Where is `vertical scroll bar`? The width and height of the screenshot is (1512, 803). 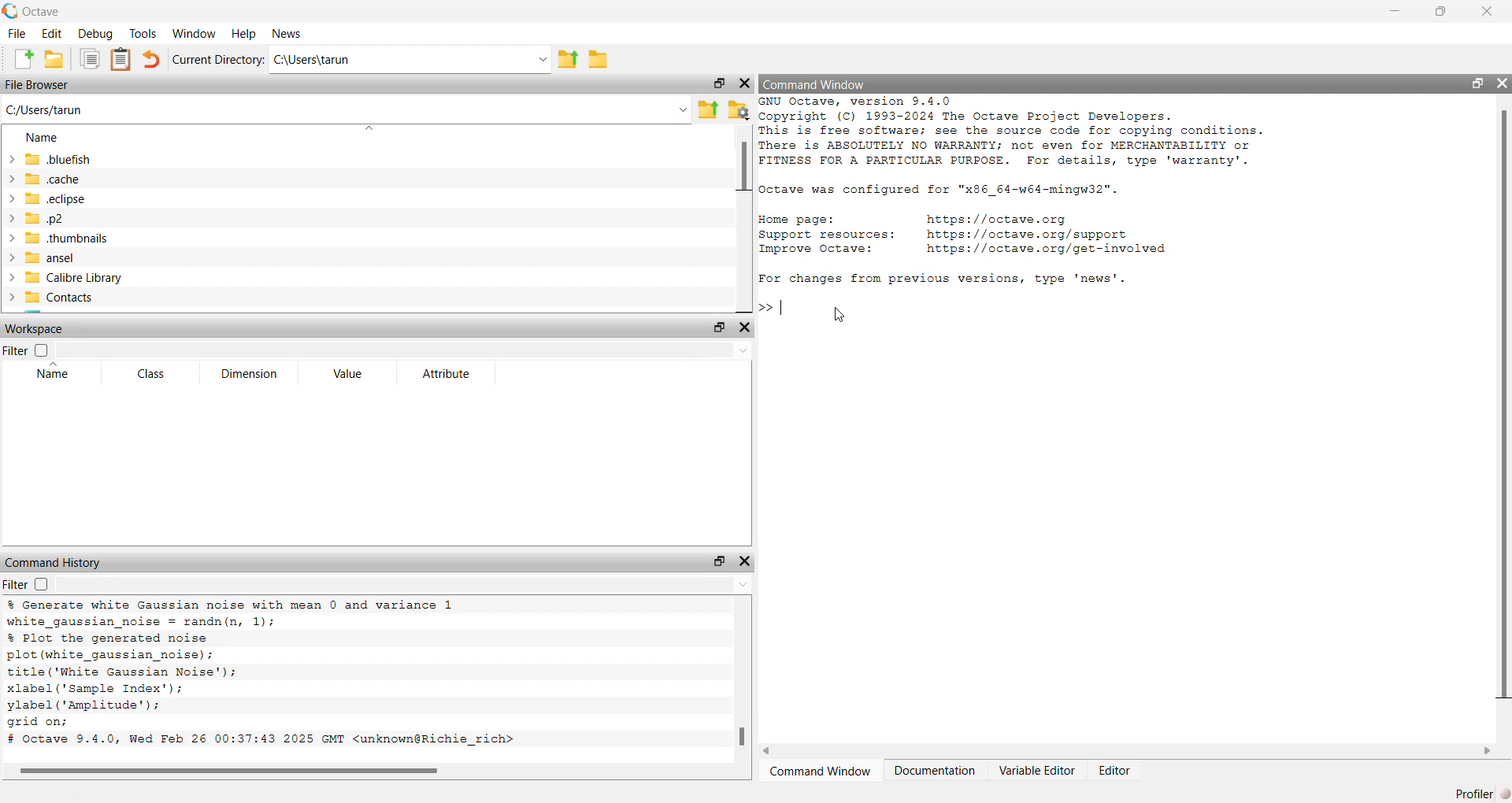 vertical scroll bar is located at coordinates (739, 682).